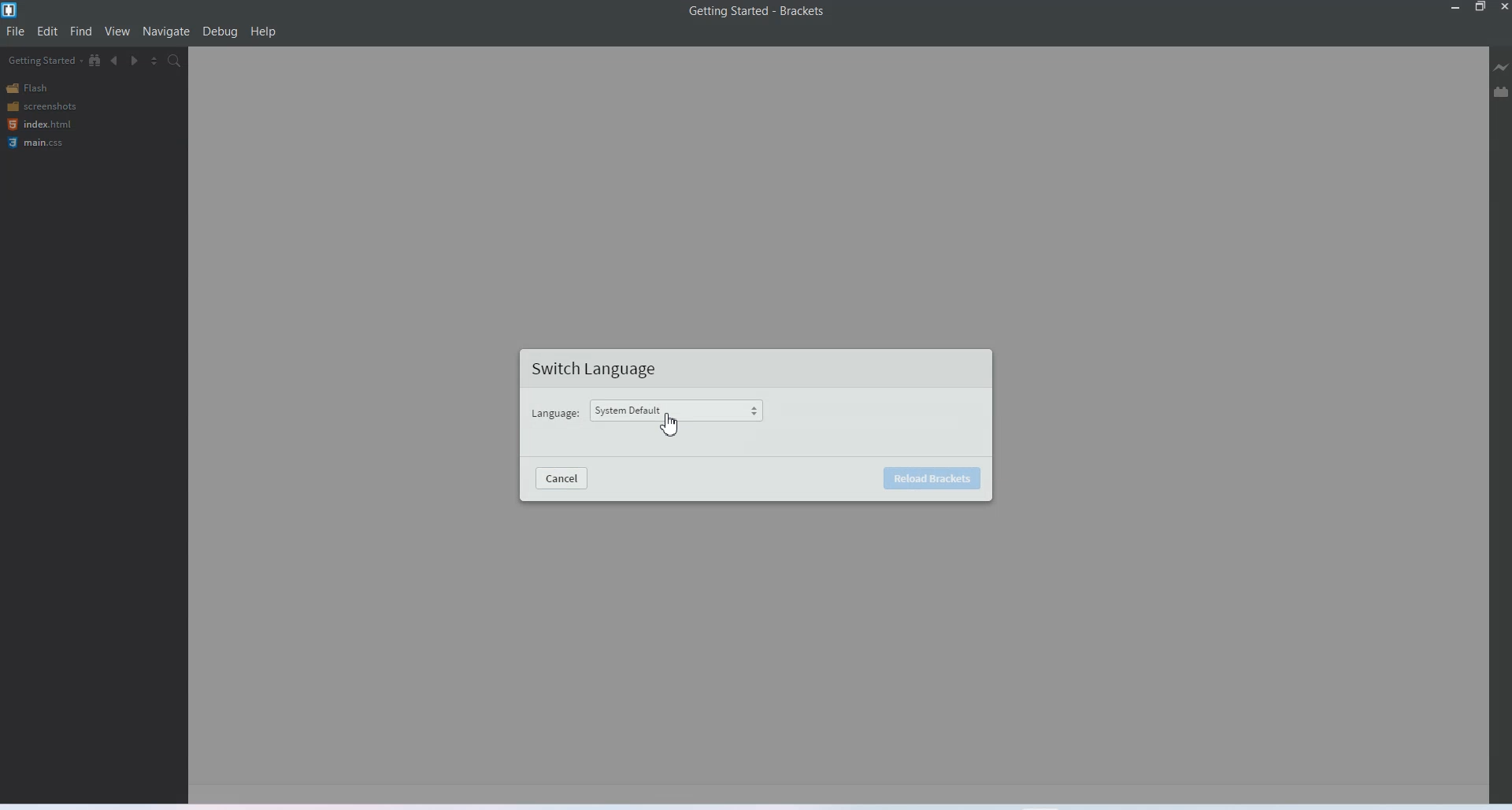 This screenshot has height=810, width=1512. What do you see at coordinates (669, 423) in the screenshot?
I see `Cursor` at bounding box center [669, 423].